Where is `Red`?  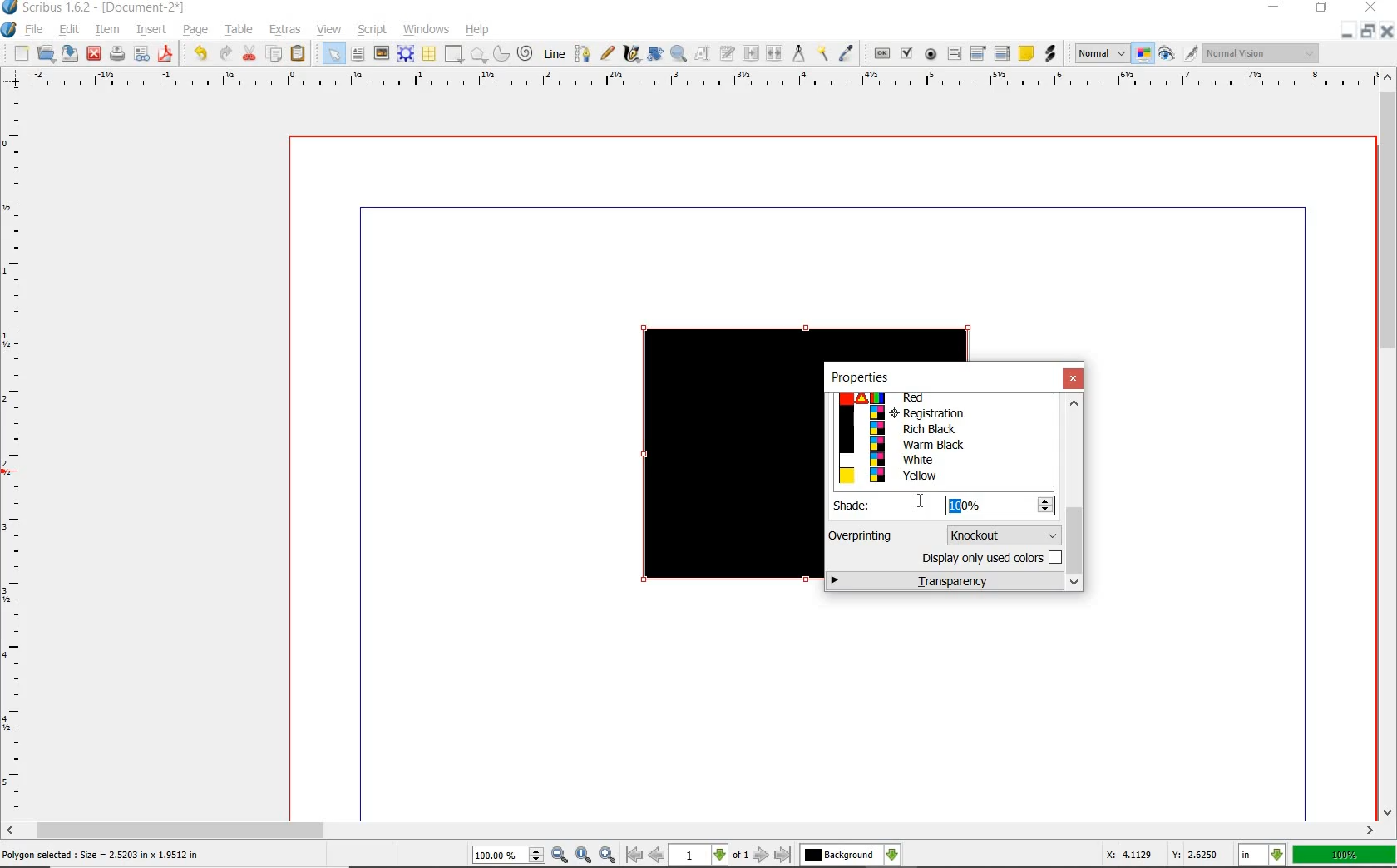
Red is located at coordinates (937, 399).